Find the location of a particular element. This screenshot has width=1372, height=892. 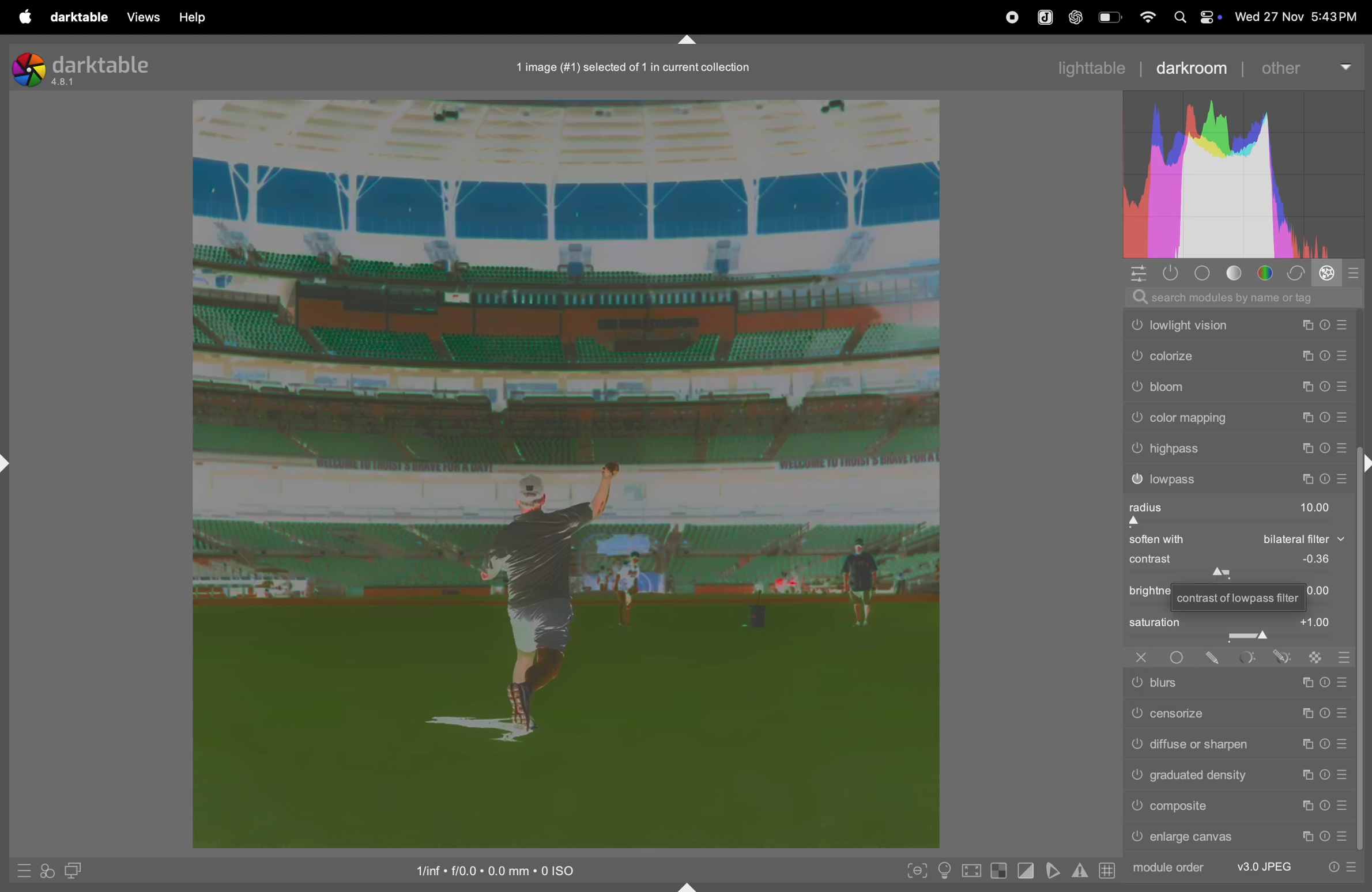

1 image is located at coordinates (634, 67).